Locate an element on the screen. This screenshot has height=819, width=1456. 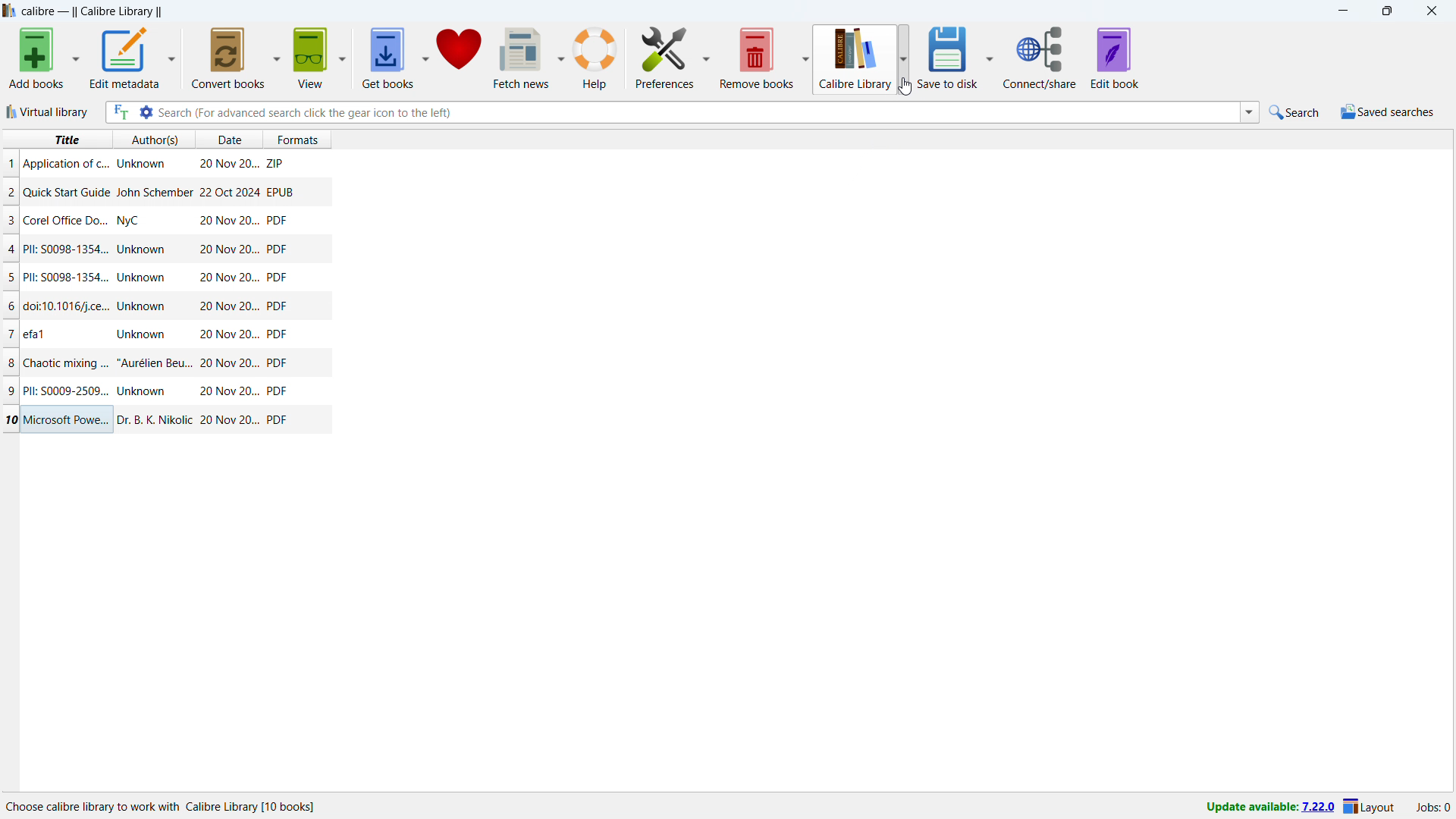
convert books options is located at coordinates (278, 56).